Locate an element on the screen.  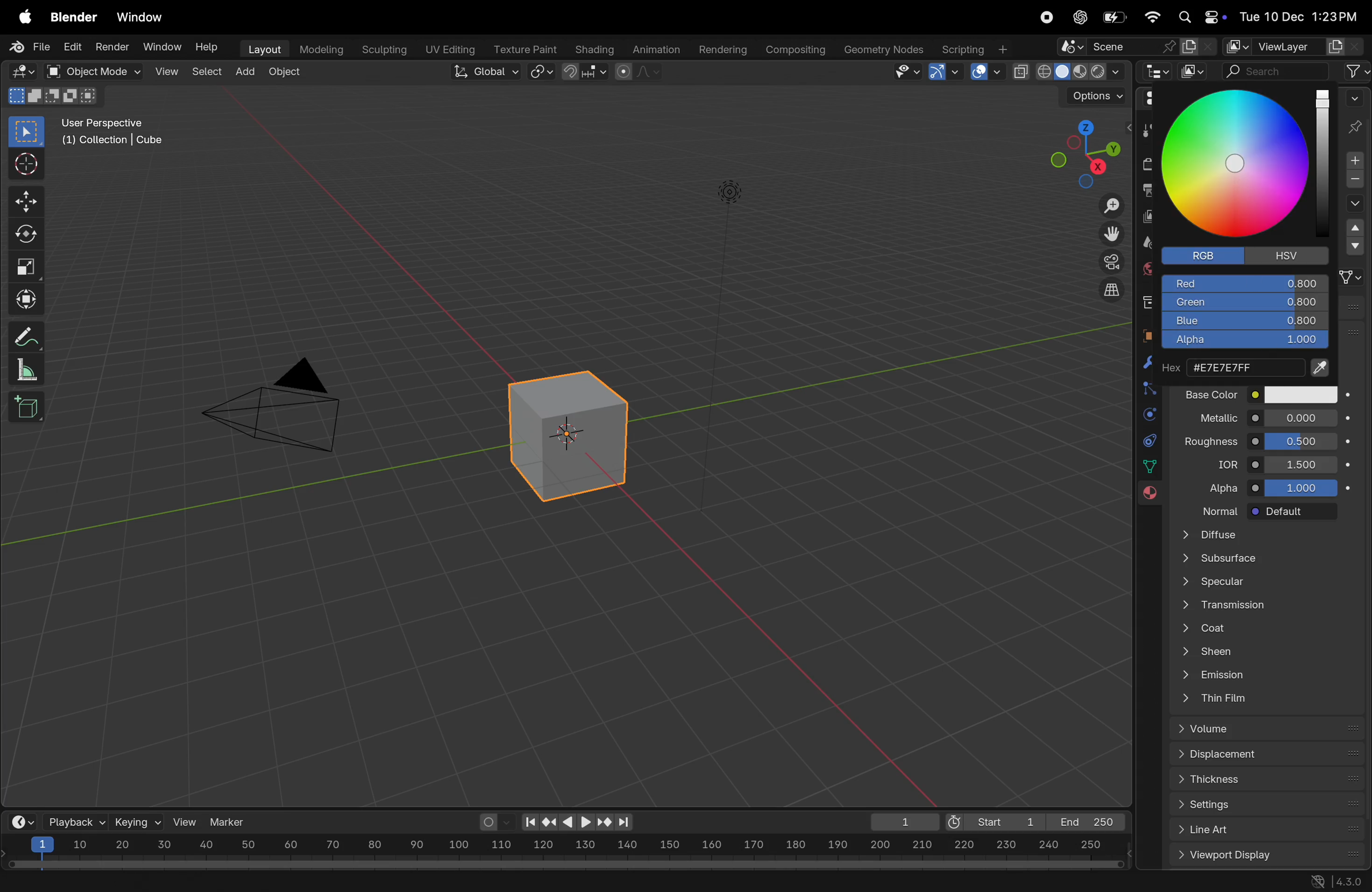
version 4.30 is located at coordinates (1333, 882).